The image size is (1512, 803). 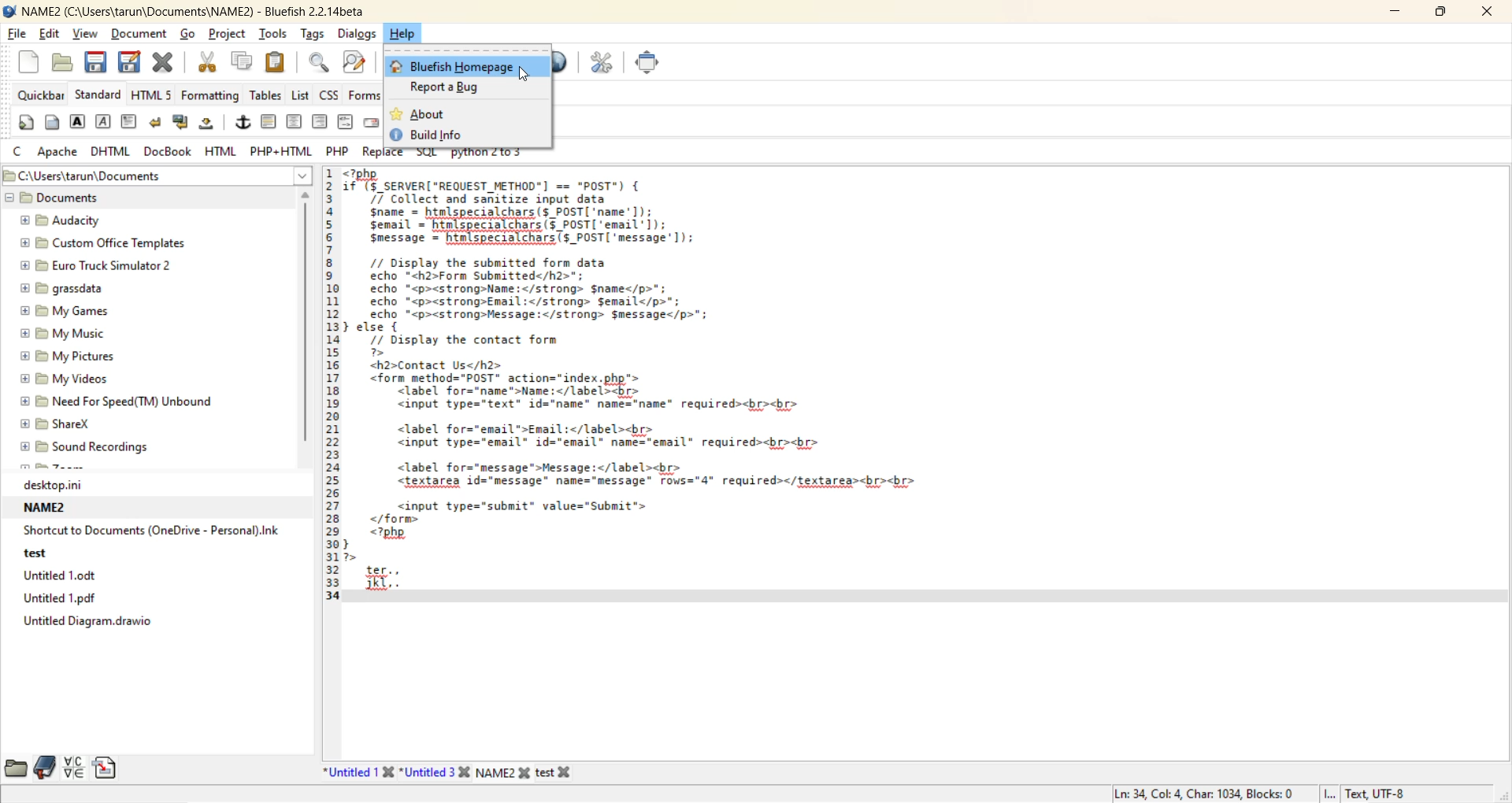 What do you see at coordinates (56, 124) in the screenshot?
I see `body` at bounding box center [56, 124].